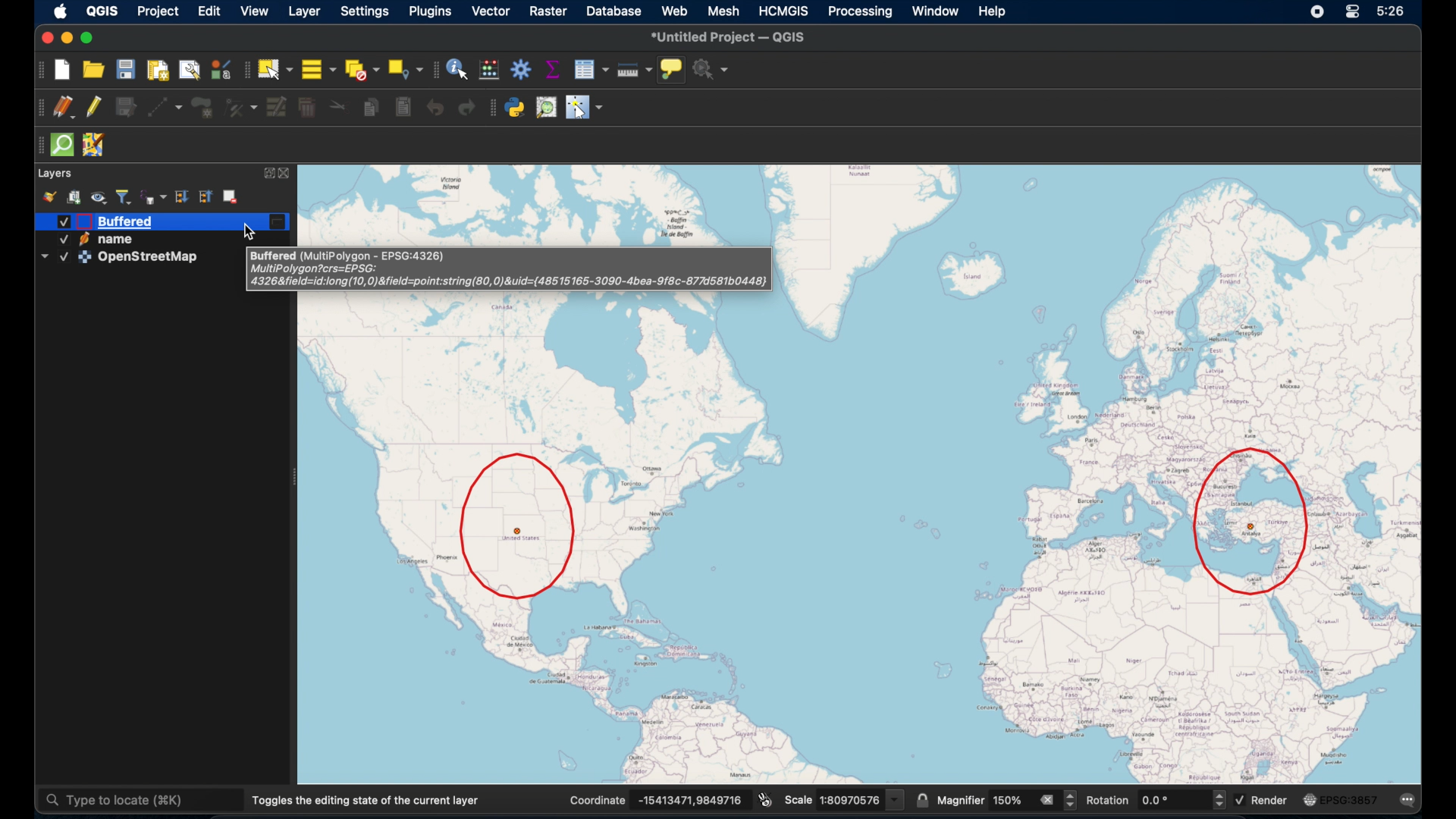  Describe the element at coordinates (154, 196) in the screenshot. I see `filter legend by expression` at that location.